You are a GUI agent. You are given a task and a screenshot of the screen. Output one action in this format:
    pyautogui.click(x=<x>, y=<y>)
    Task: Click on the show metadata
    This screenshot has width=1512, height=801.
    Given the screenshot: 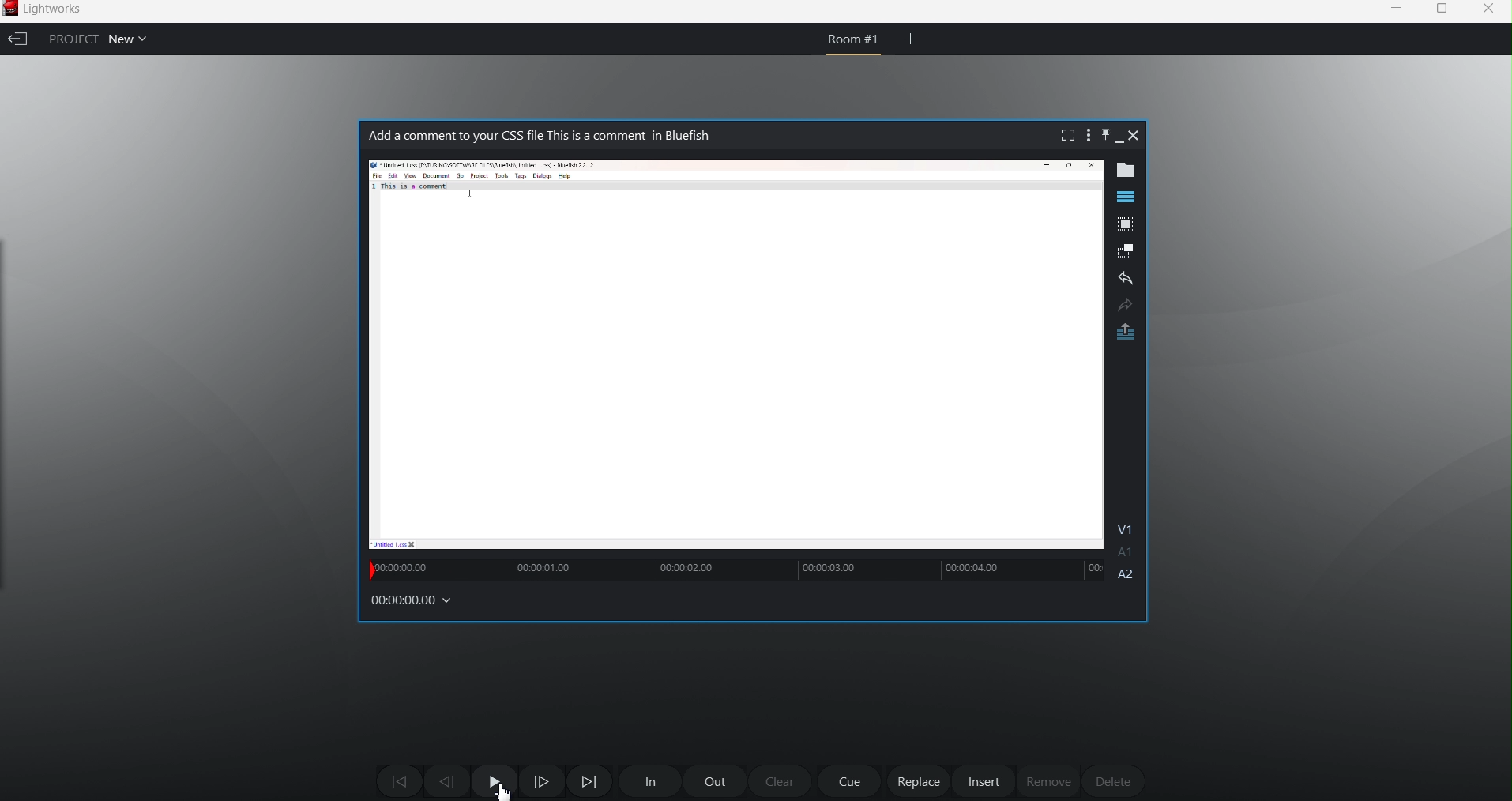 What is the action you would take?
    pyautogui.click(x=1130, y=171)
    